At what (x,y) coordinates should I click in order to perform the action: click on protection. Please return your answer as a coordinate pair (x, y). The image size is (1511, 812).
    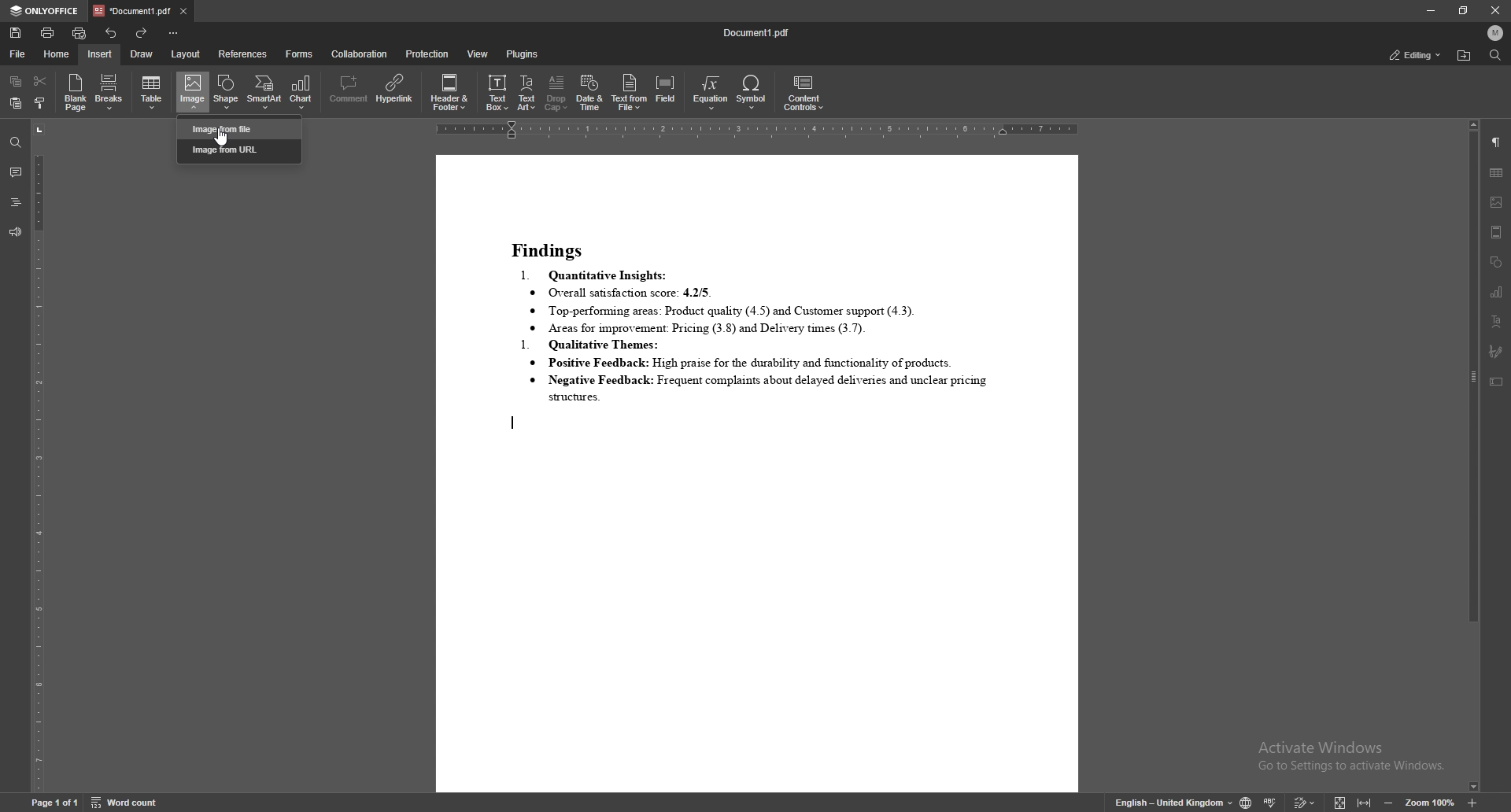
    Looking at the image, I should click on (427, 54).